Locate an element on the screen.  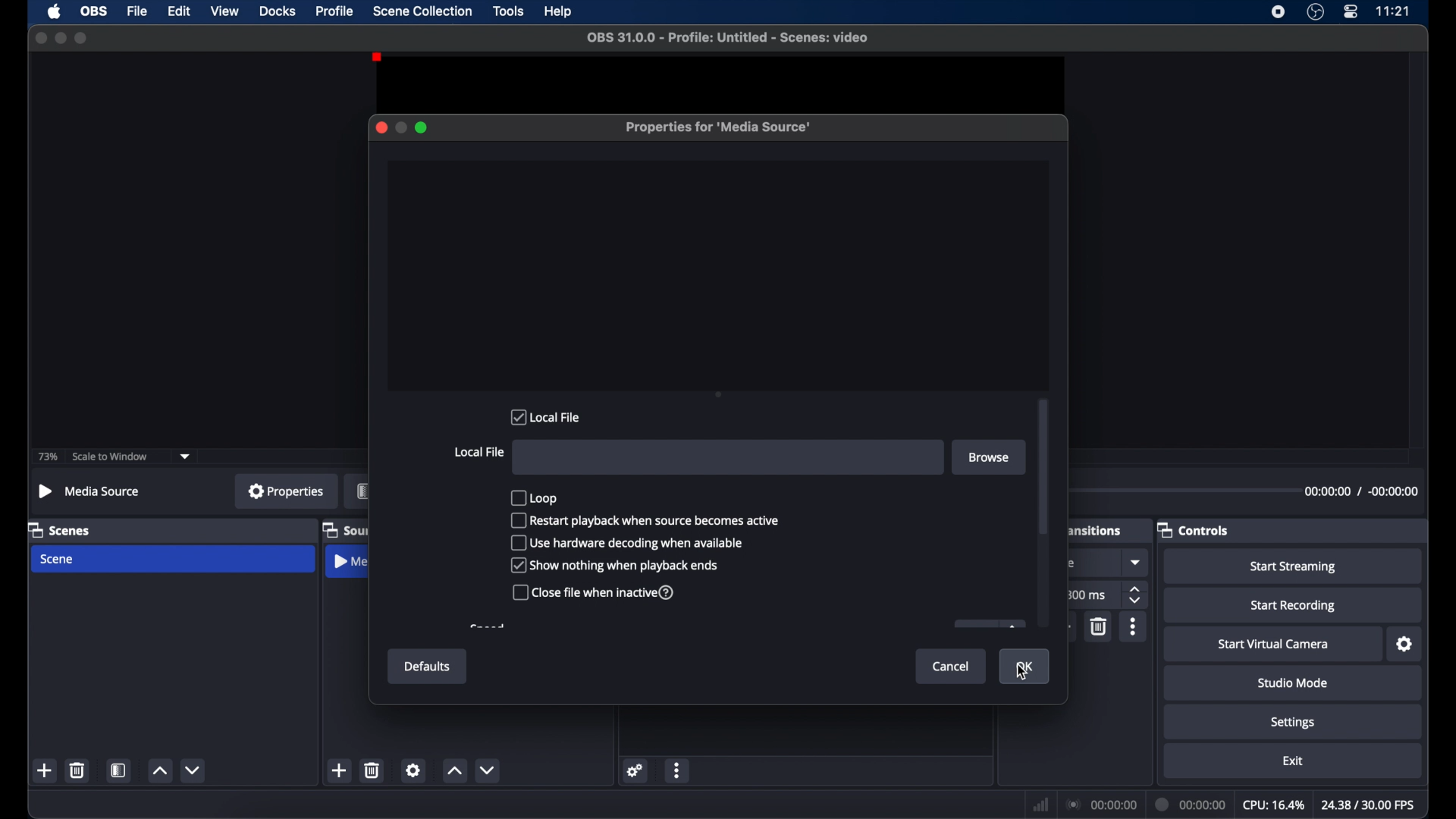
obs is located at coordinates (96, 11).